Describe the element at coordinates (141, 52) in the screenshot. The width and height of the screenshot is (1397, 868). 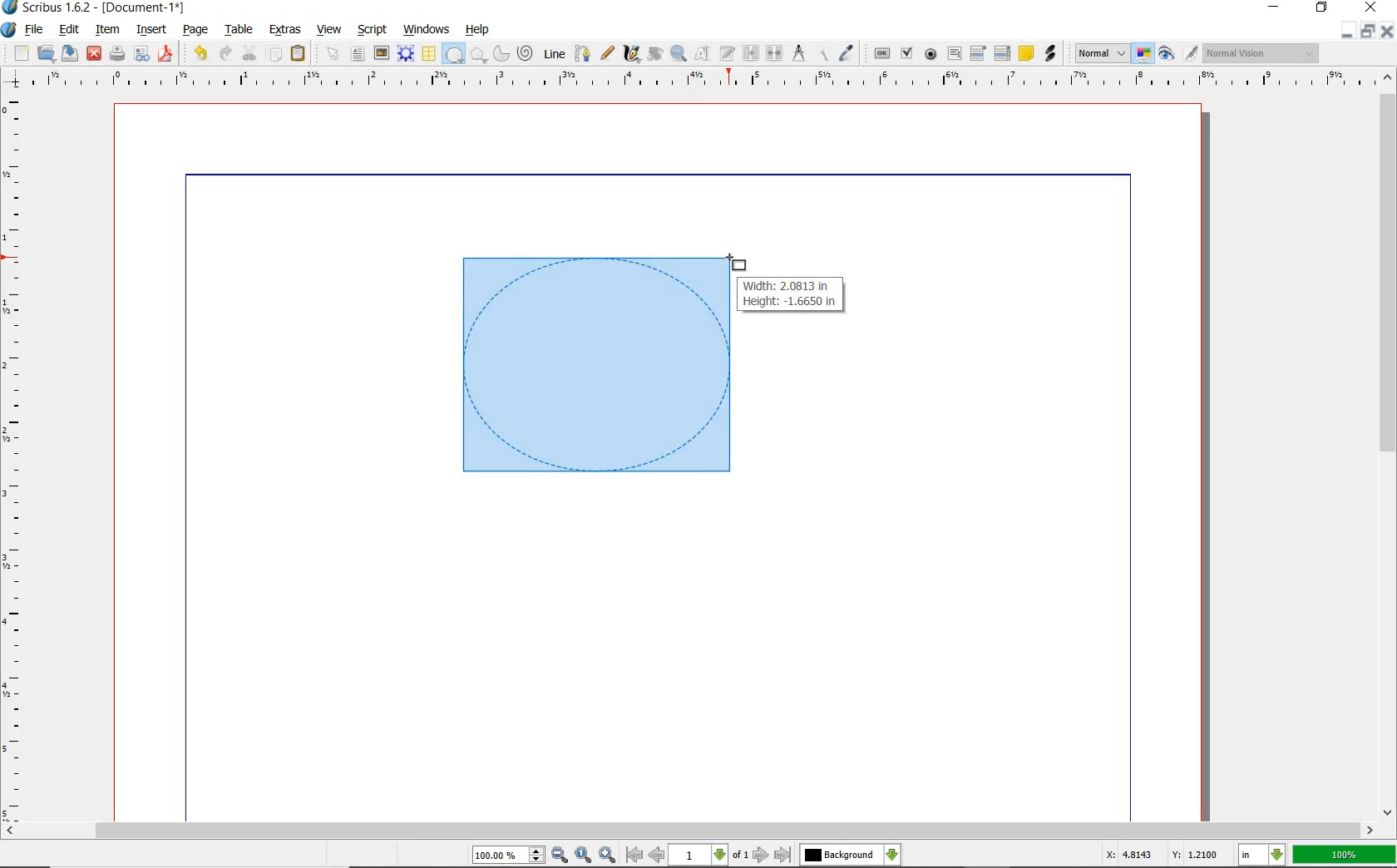
I see `PREFLIGHT VERIFIER` at that location.